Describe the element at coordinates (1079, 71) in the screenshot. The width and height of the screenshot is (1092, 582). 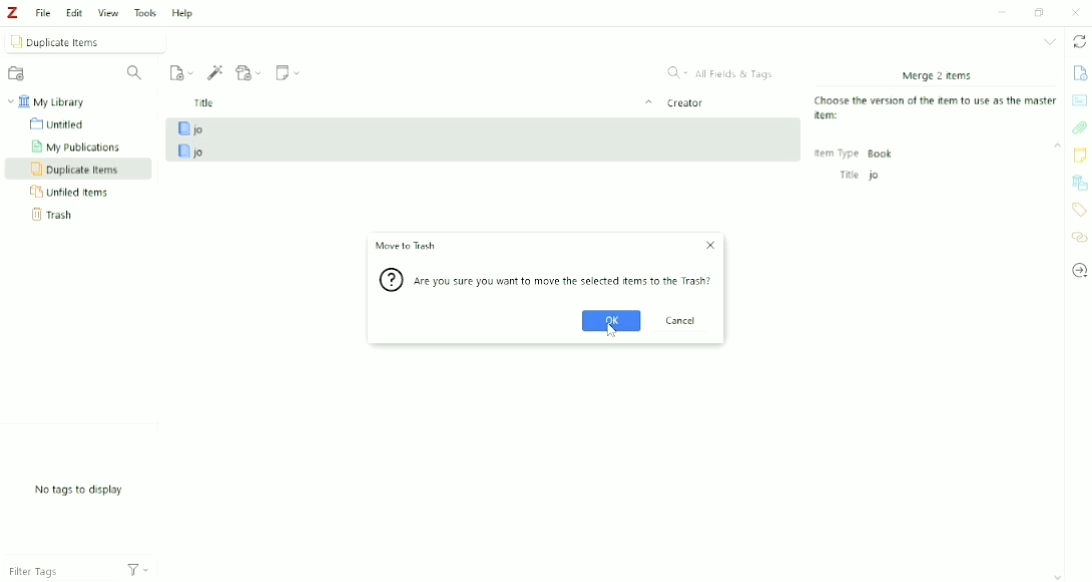
I see `Info` at that location.